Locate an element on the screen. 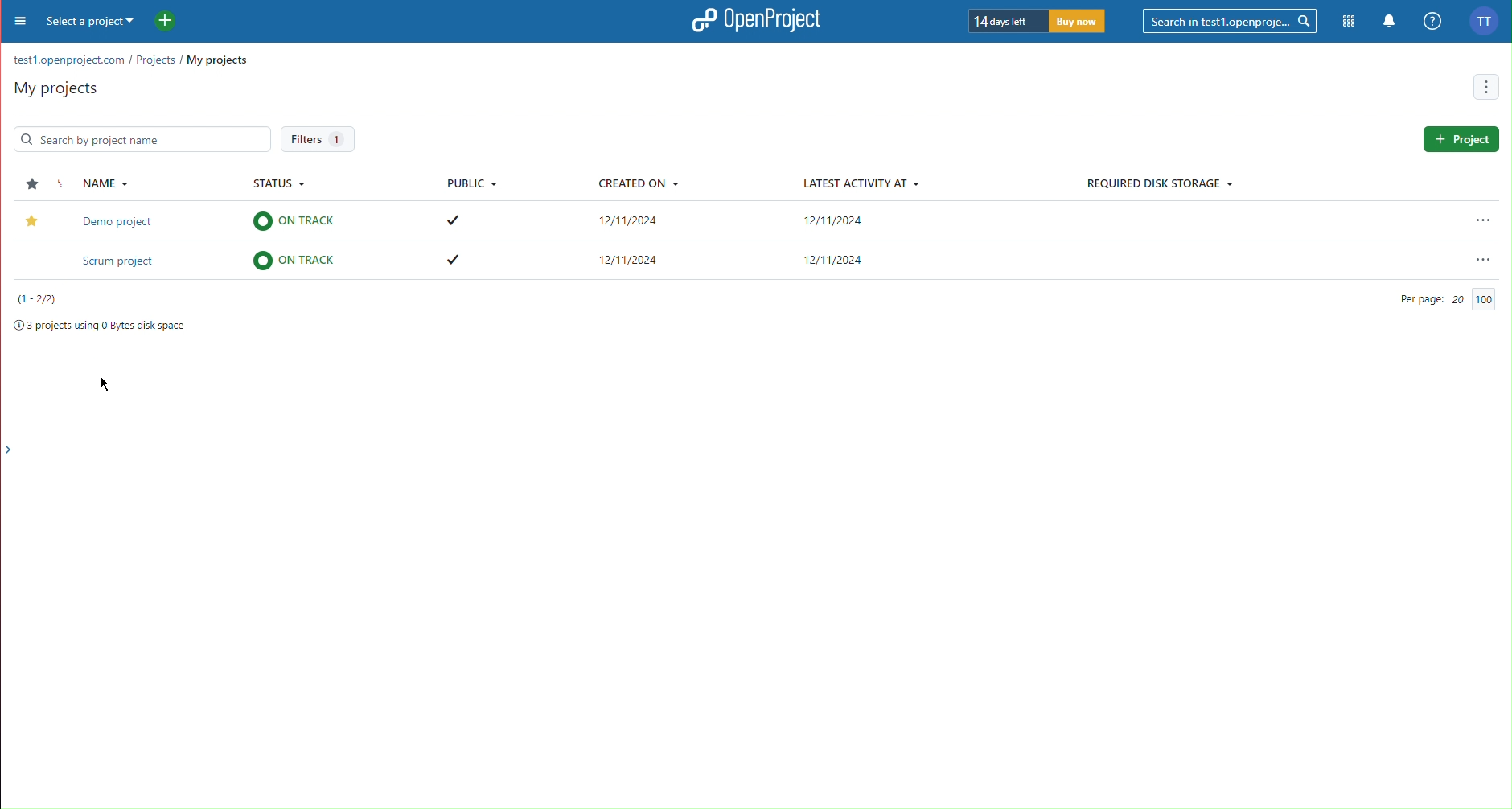 The image size is (1512, 809). Notifications is located at coordinates (1388, 19).